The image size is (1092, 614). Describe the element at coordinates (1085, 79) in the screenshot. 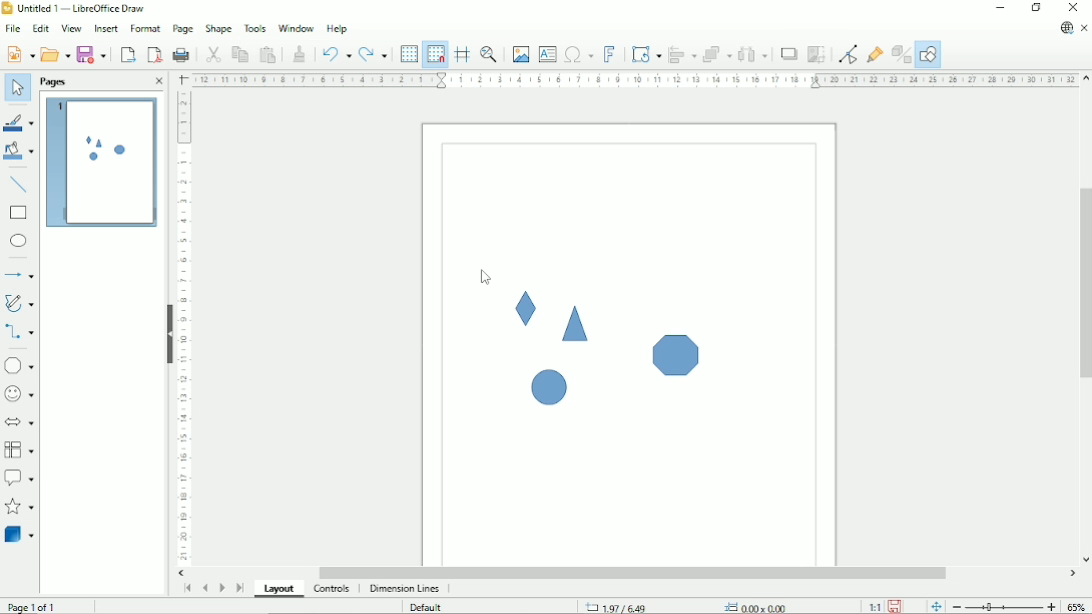

I see `Vertical scroll button` at that location.